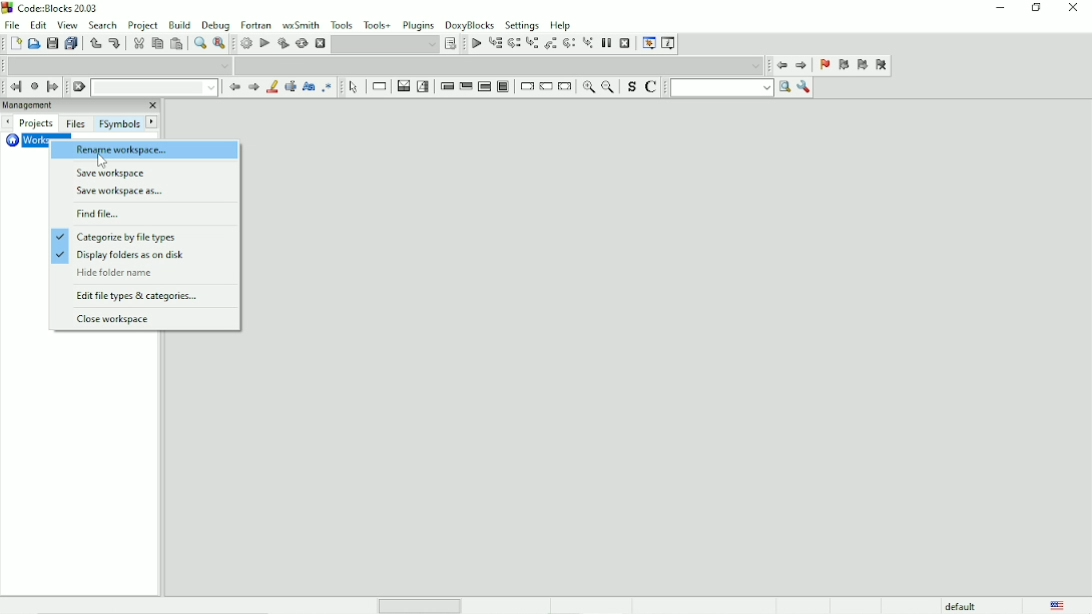 This screenshot has width=1092, height=614. What do you see at coordinates (378, 24) in the screenshot?
I see `Tools+` at bounding box center [378, 24].